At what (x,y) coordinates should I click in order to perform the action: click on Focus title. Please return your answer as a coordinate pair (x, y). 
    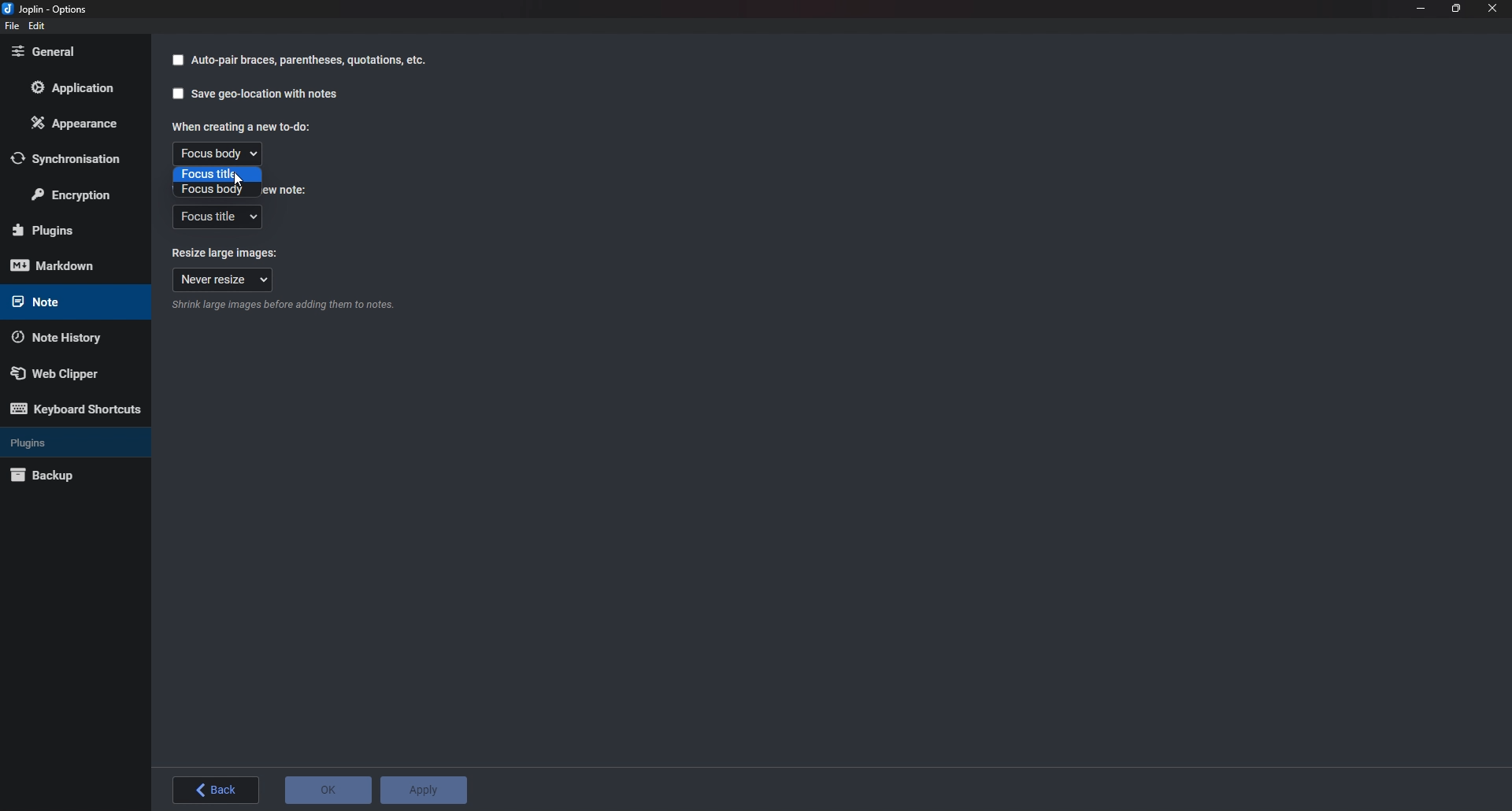
    Looking at the image, I should click on (216, 218).